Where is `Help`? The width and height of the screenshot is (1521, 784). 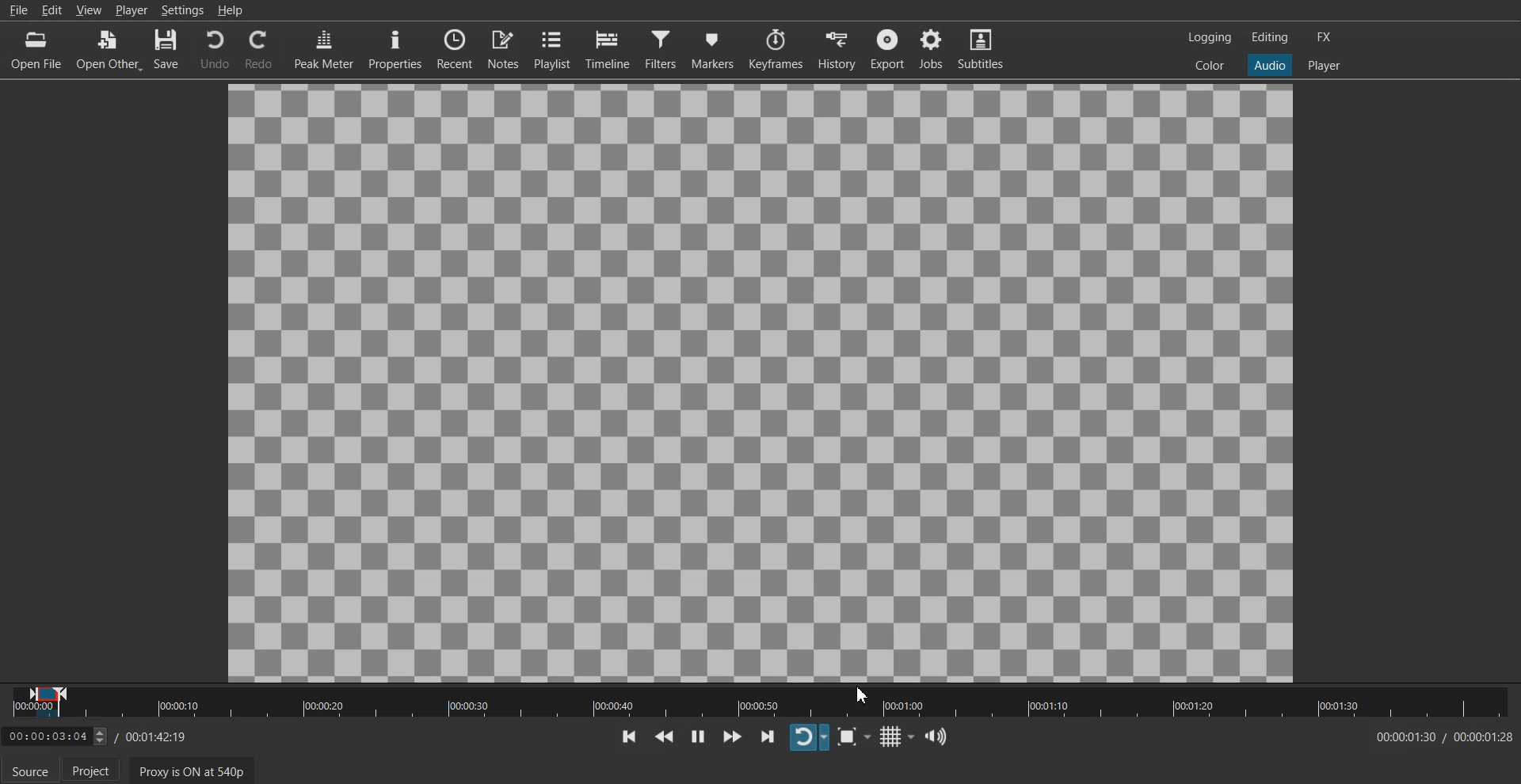 Help is located at coordinates (230, 10).